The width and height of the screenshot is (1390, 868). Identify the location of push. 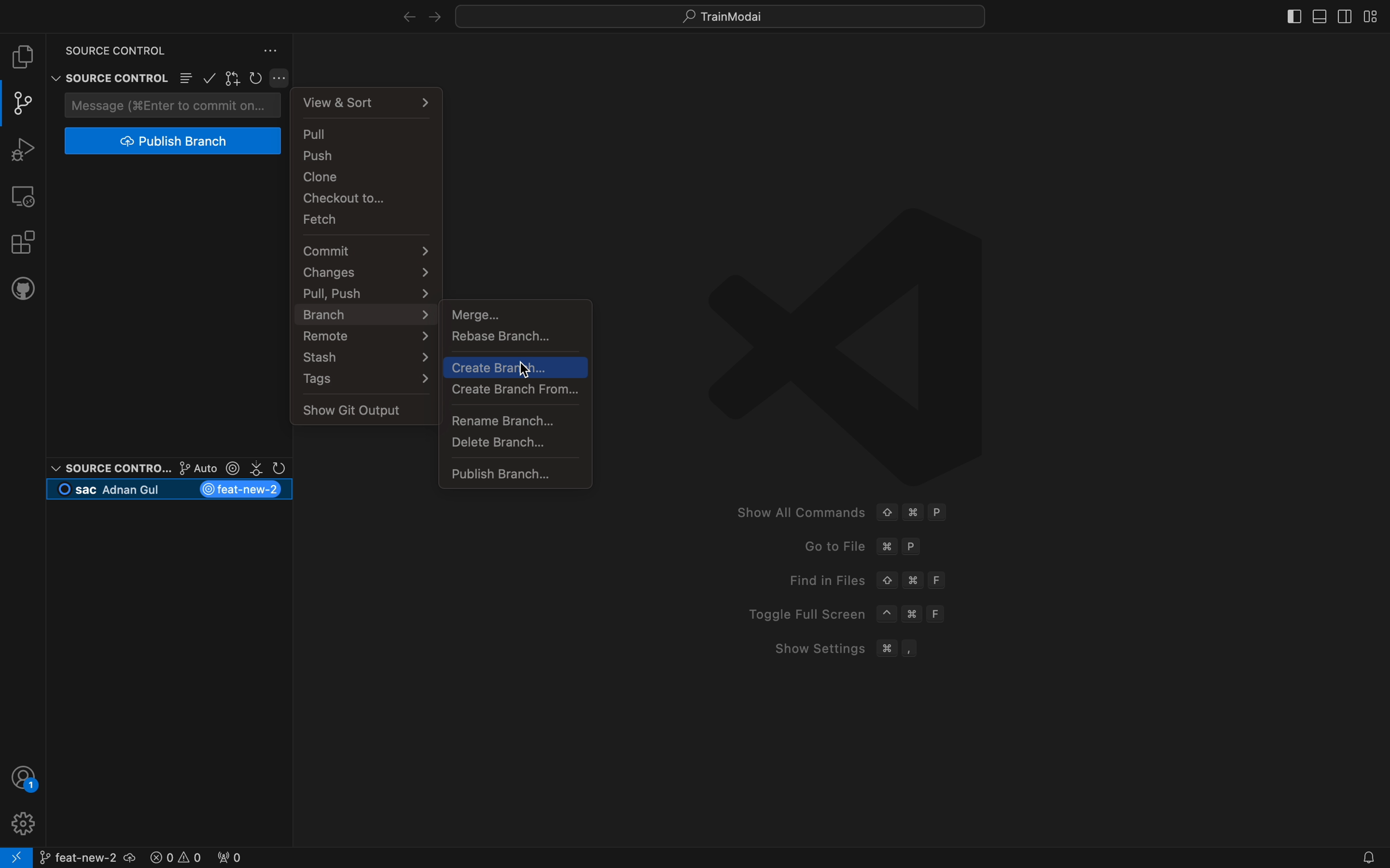
(369, 155).